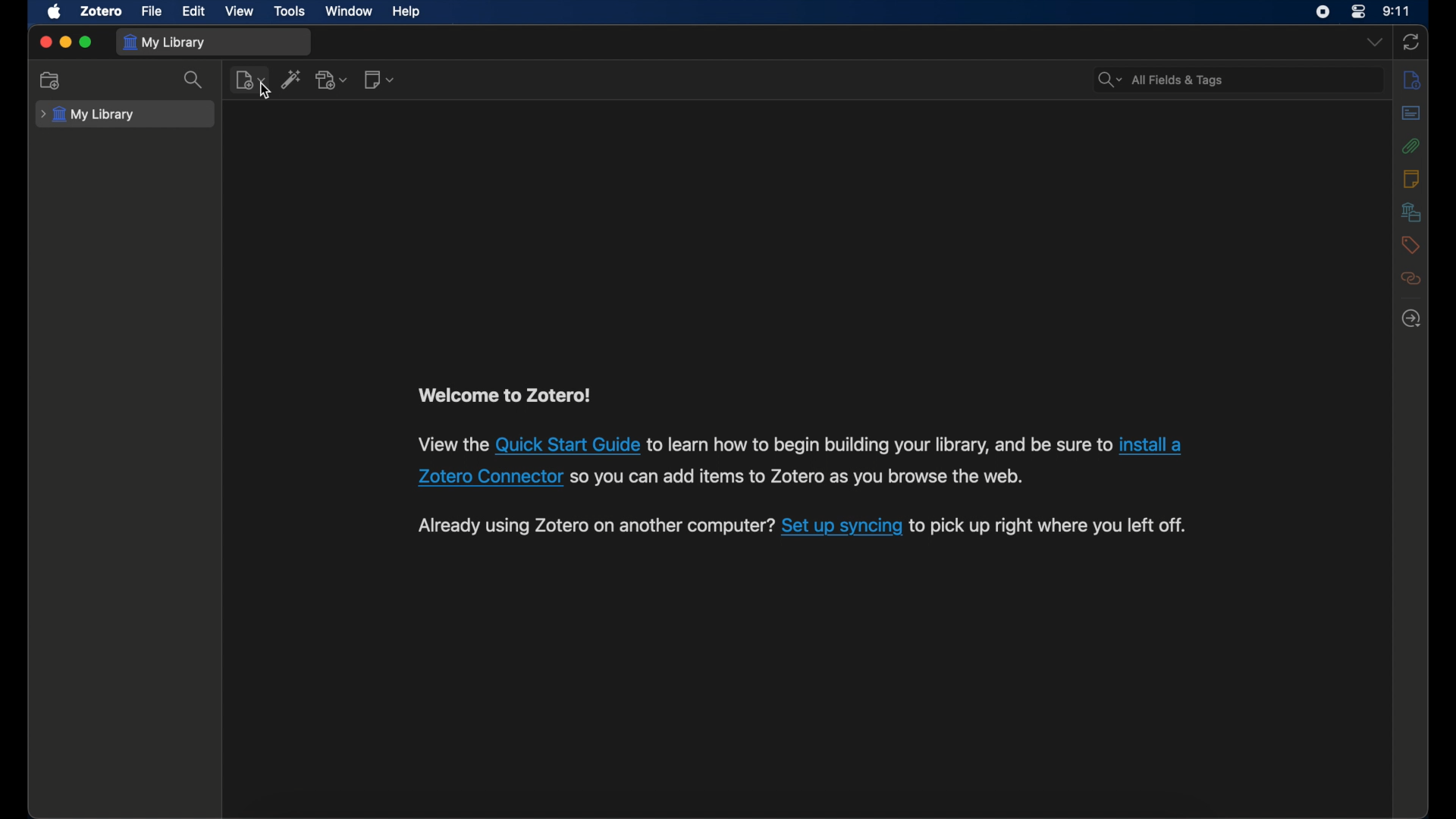  What do you see at coordinates (86, 42) in the screenshot?
I see `maximize` at bounding box center [86, 42].